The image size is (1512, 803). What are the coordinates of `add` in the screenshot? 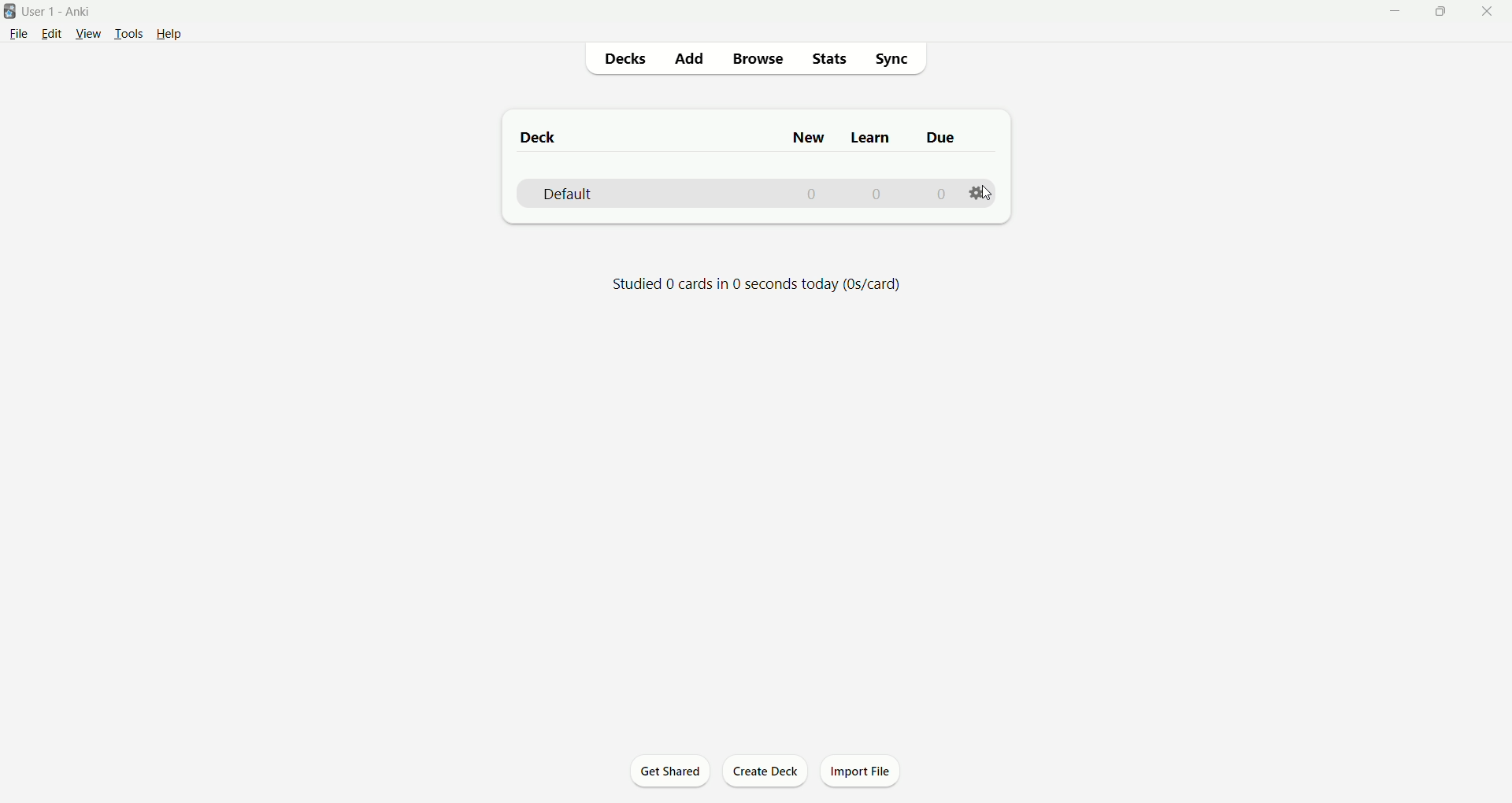 It's located at (688, 60).